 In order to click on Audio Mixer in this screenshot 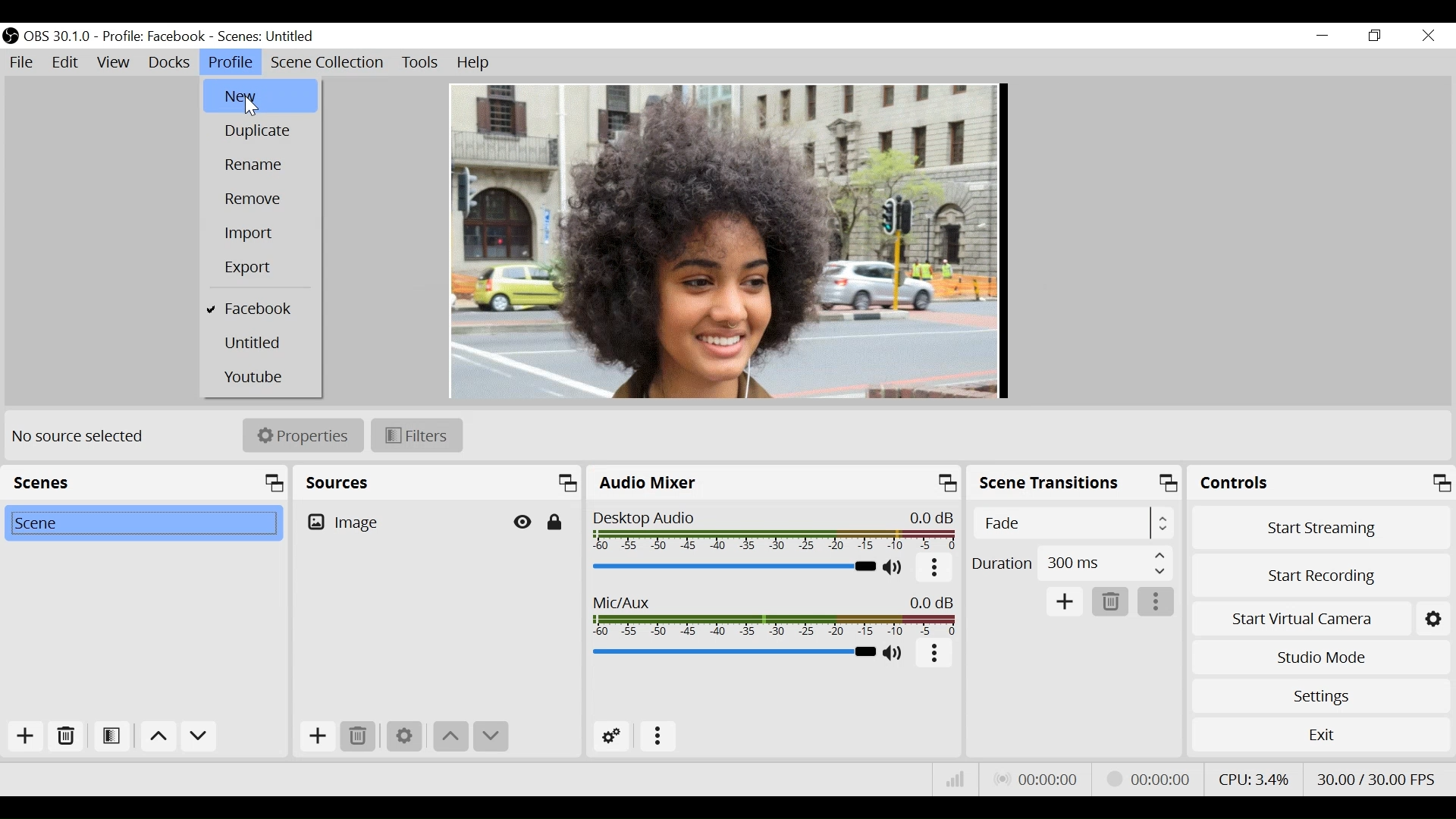, I will do `click(775, 483)`.